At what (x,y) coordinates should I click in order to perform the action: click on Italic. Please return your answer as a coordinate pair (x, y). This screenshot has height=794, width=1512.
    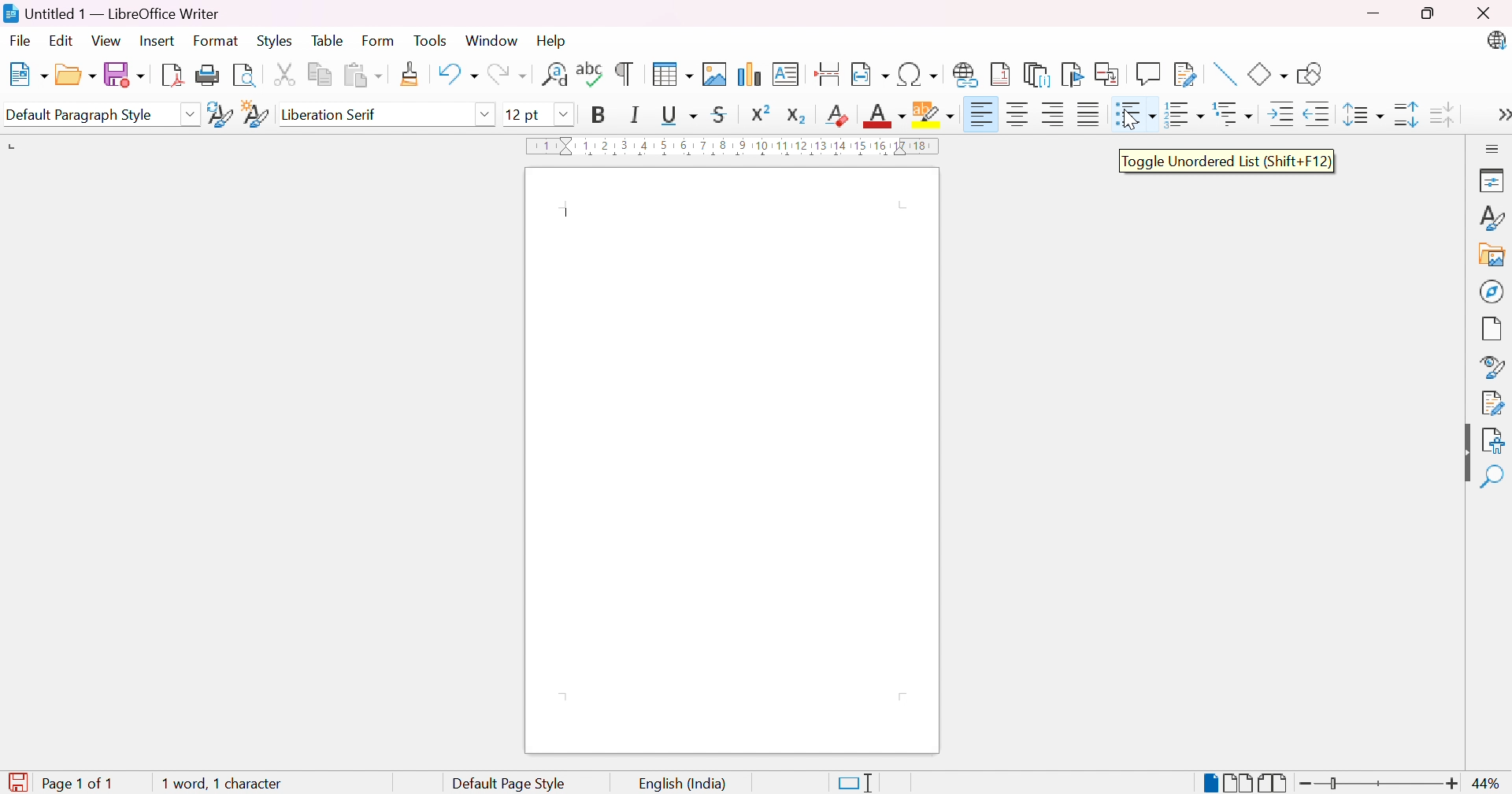
    Looking at the image, I should click on (632, 117).